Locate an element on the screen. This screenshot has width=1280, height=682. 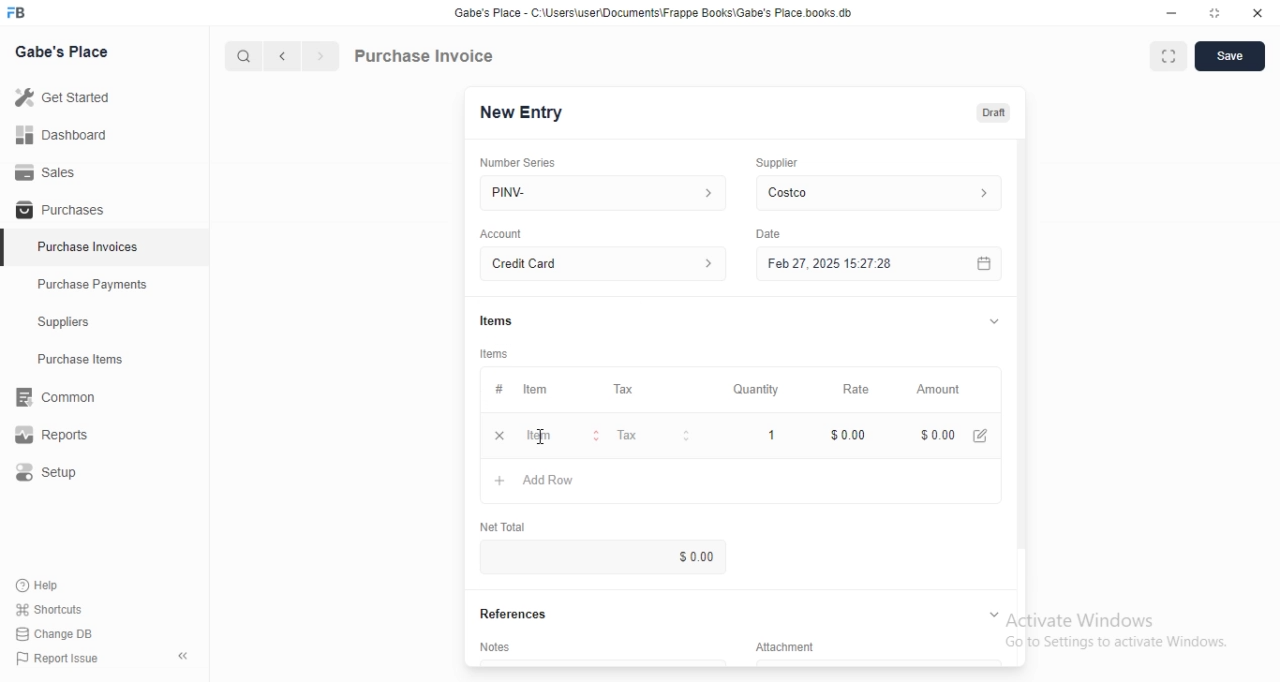
Date is located at coordinates (768, 234).